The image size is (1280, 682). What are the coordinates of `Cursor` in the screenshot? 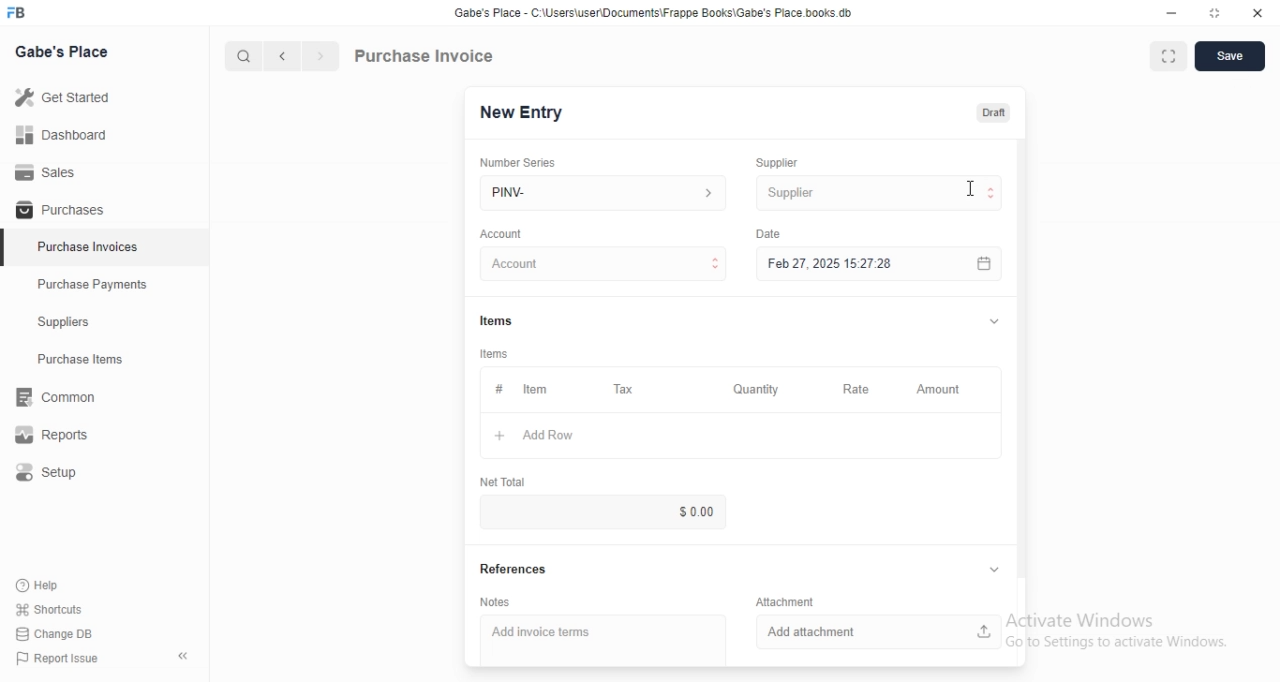 It's located at (970, 188).